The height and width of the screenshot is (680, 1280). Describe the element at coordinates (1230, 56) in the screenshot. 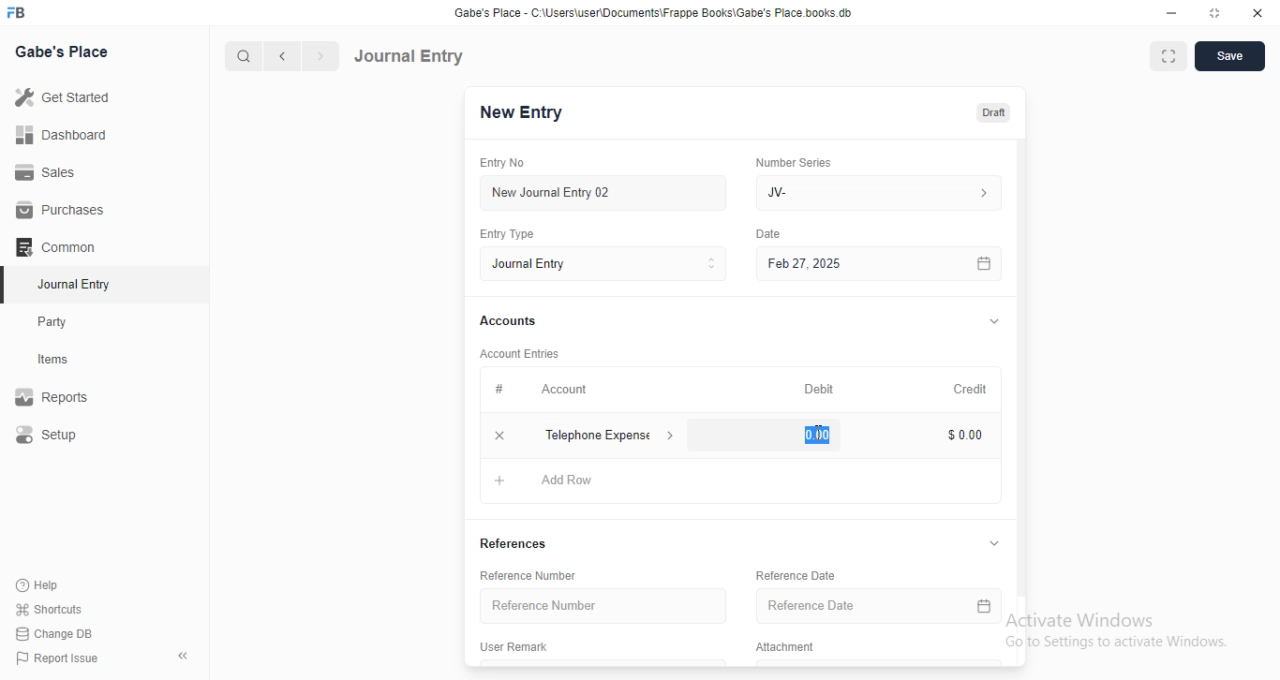

I see `Save` at that location.